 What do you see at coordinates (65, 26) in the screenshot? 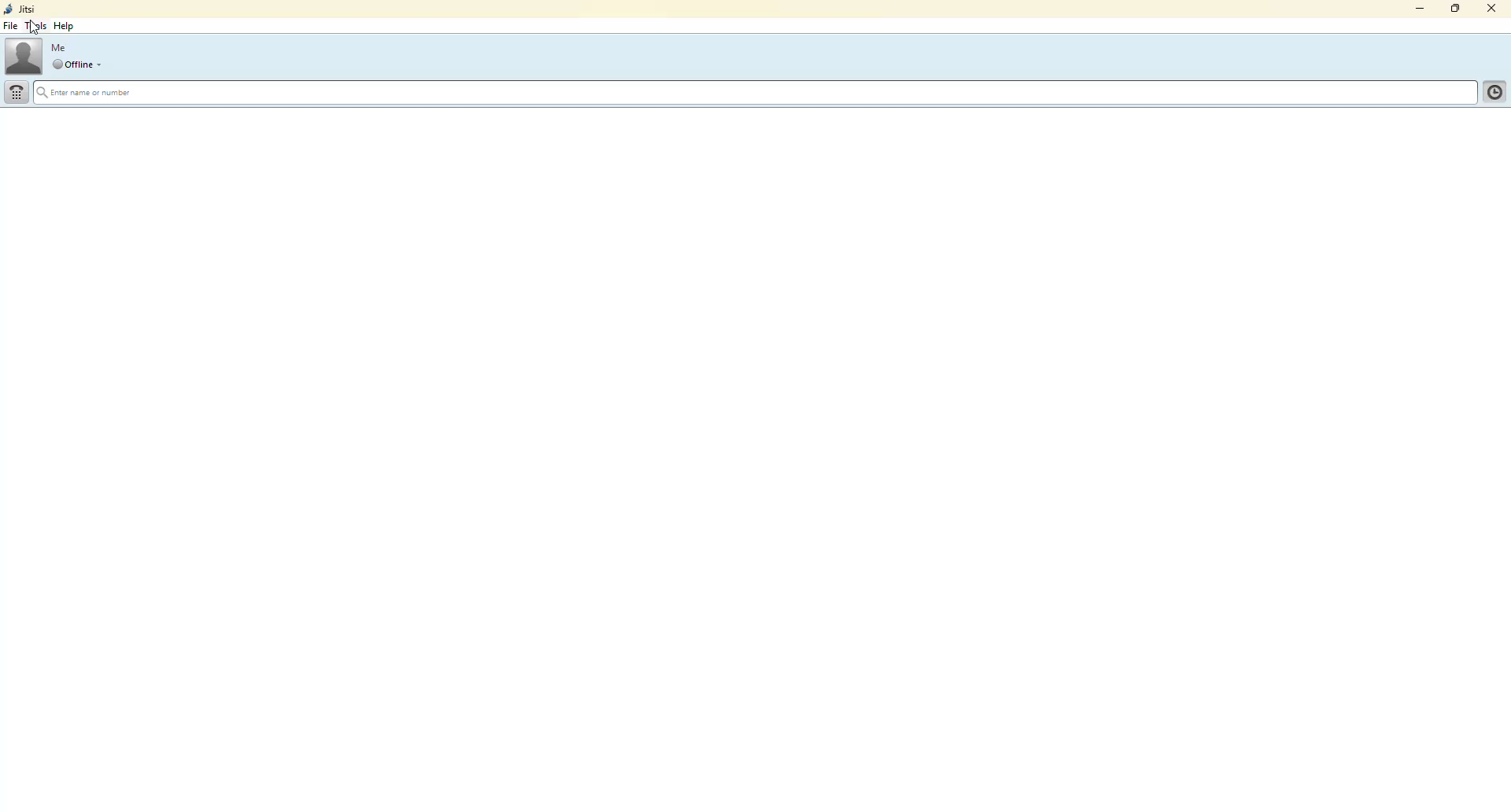
I see `help` at bounding box center [65, 26].